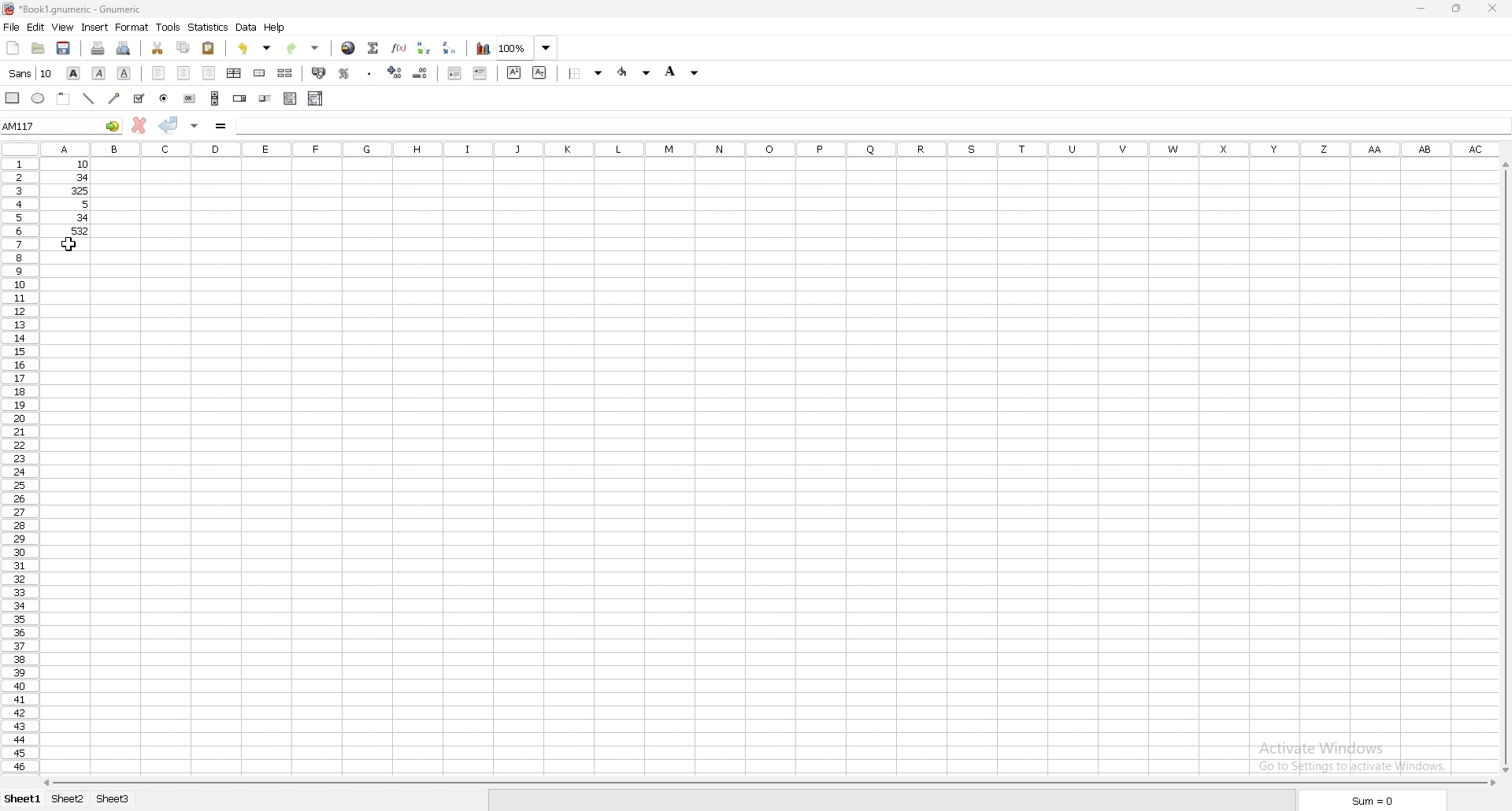 This screenshot has height=811, width=1512. I want to click on accept changes, so click(168, 124).